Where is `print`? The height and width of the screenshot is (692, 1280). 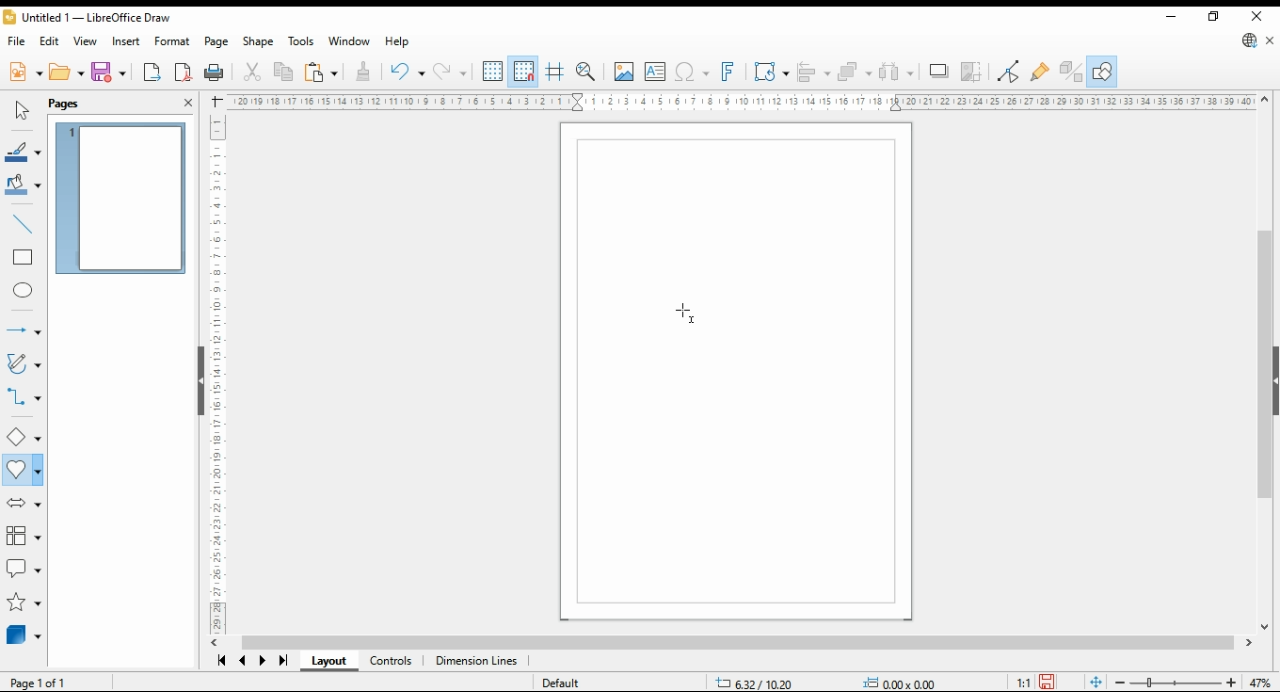 print is located at coordinates (215, 72).